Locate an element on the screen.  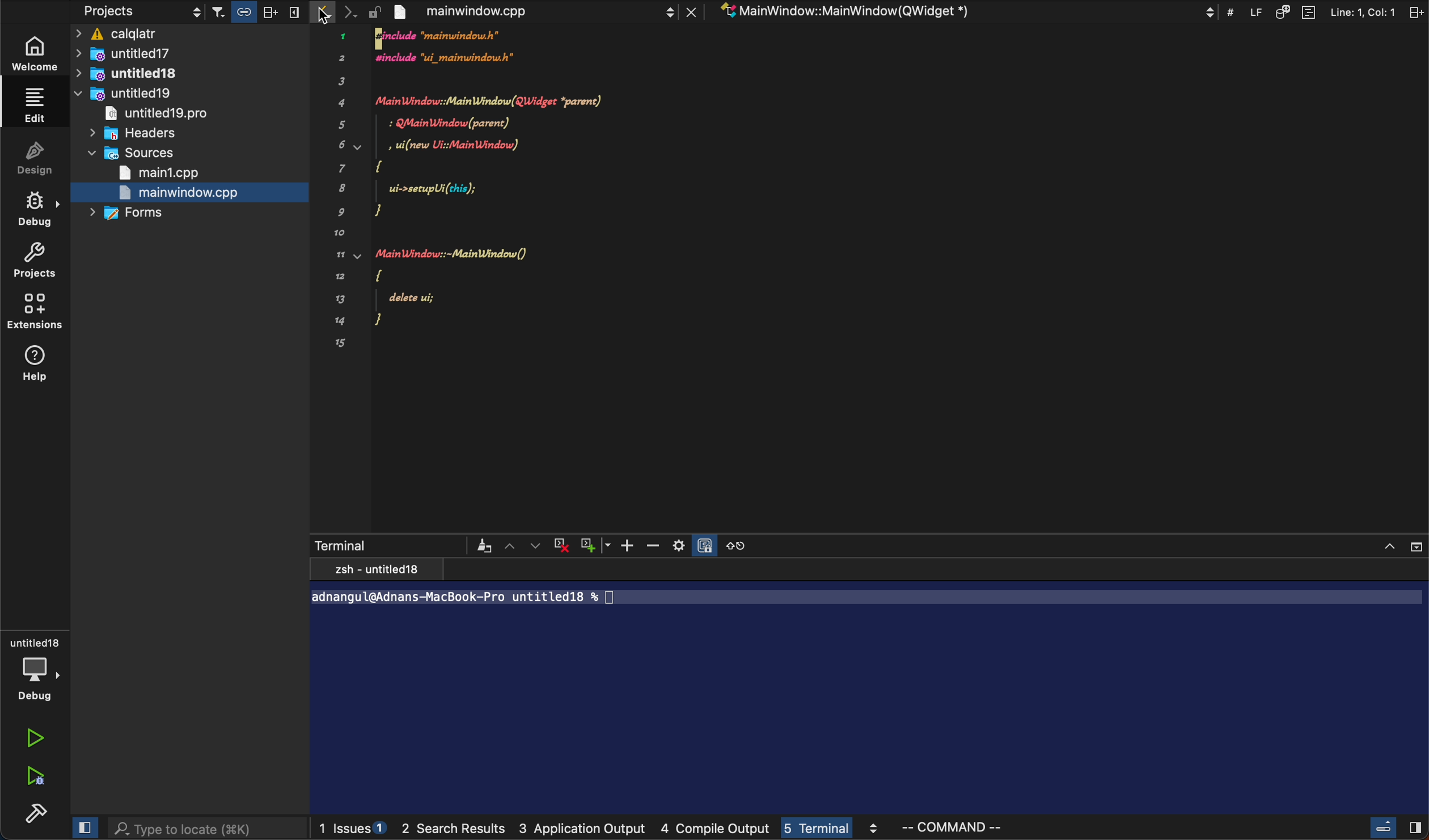
run is located at coordinates (38, 737).